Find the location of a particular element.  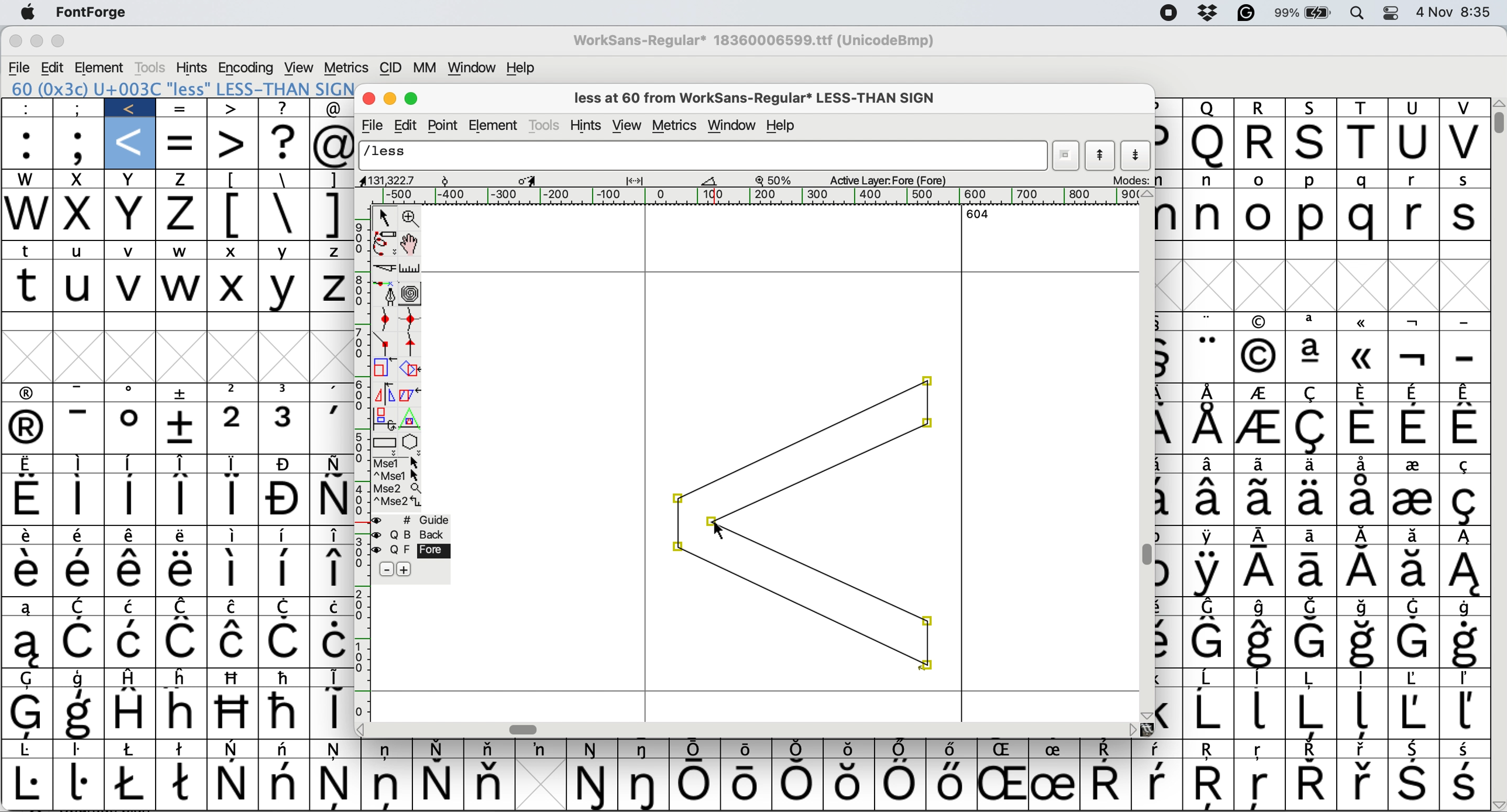

symbol is located at coordinates (81, 605).